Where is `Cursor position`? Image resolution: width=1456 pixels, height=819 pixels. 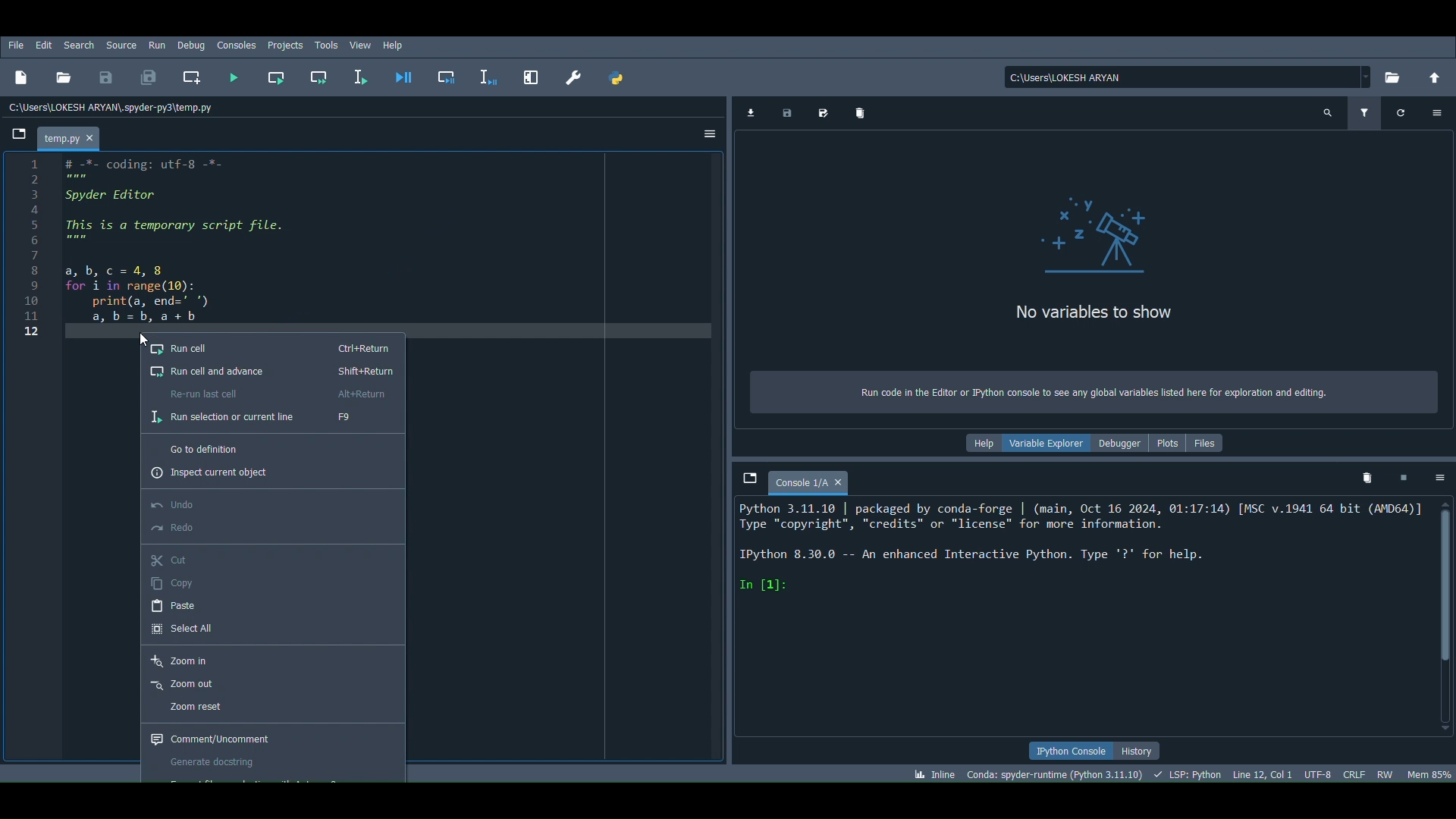 Cursor position is located at coordinates (1263, 774).